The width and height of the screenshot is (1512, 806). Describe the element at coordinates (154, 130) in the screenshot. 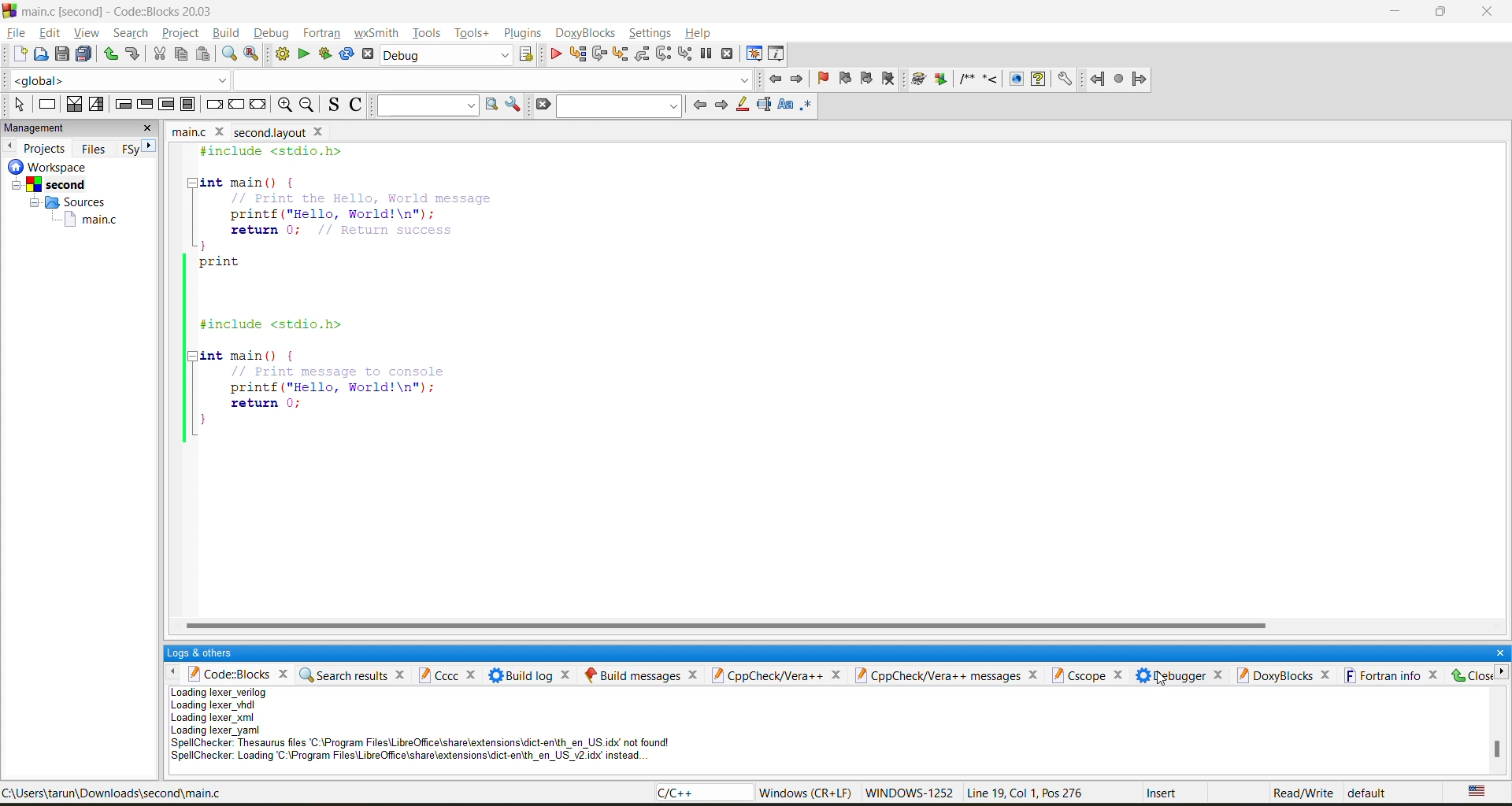

I see `close` at that location.